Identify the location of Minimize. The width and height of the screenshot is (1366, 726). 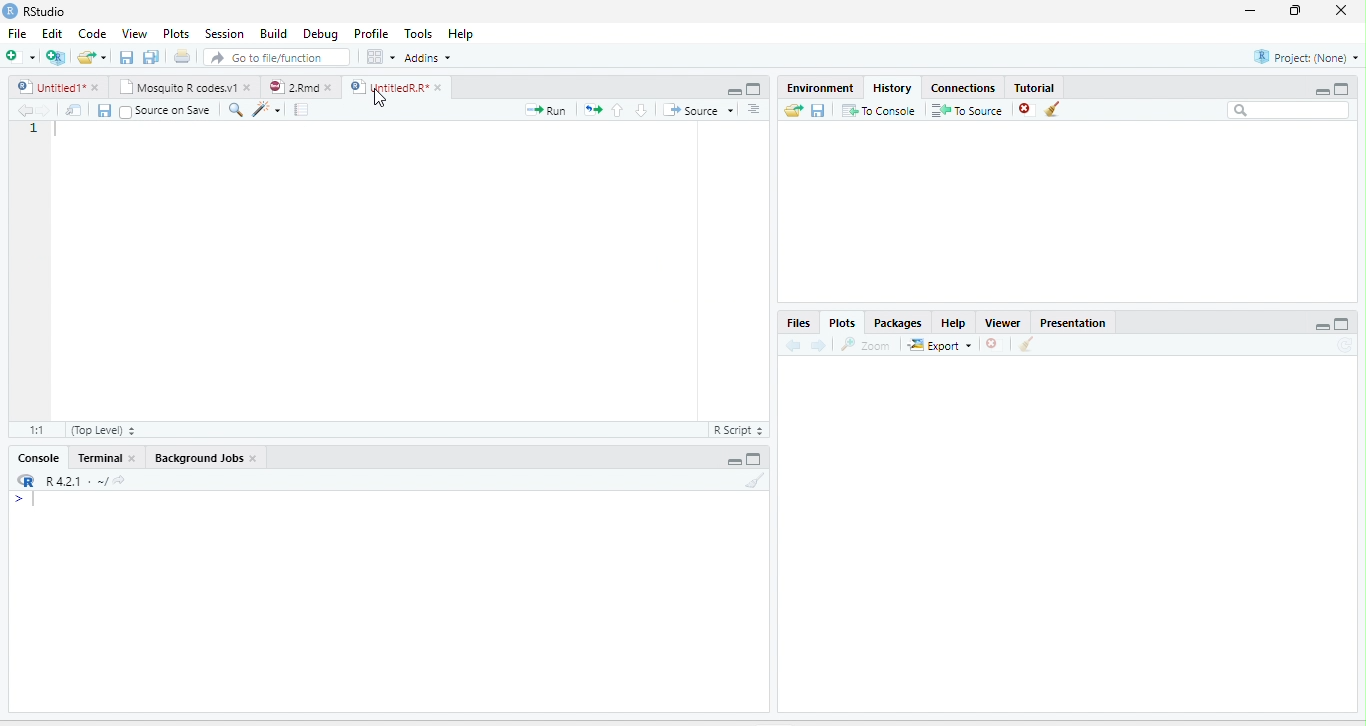
(733, 92).